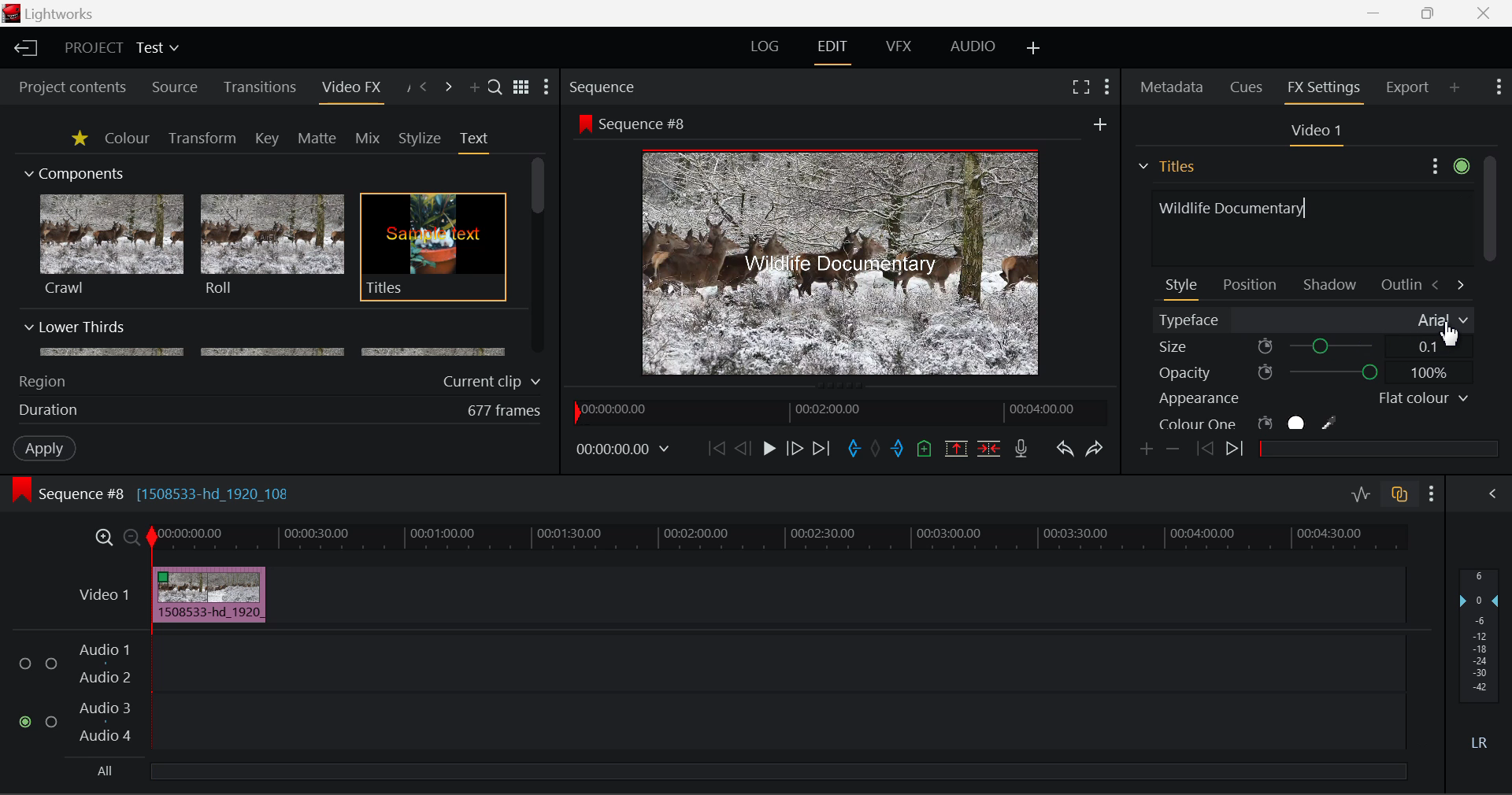  I want to click on Search, so click(496, 86).